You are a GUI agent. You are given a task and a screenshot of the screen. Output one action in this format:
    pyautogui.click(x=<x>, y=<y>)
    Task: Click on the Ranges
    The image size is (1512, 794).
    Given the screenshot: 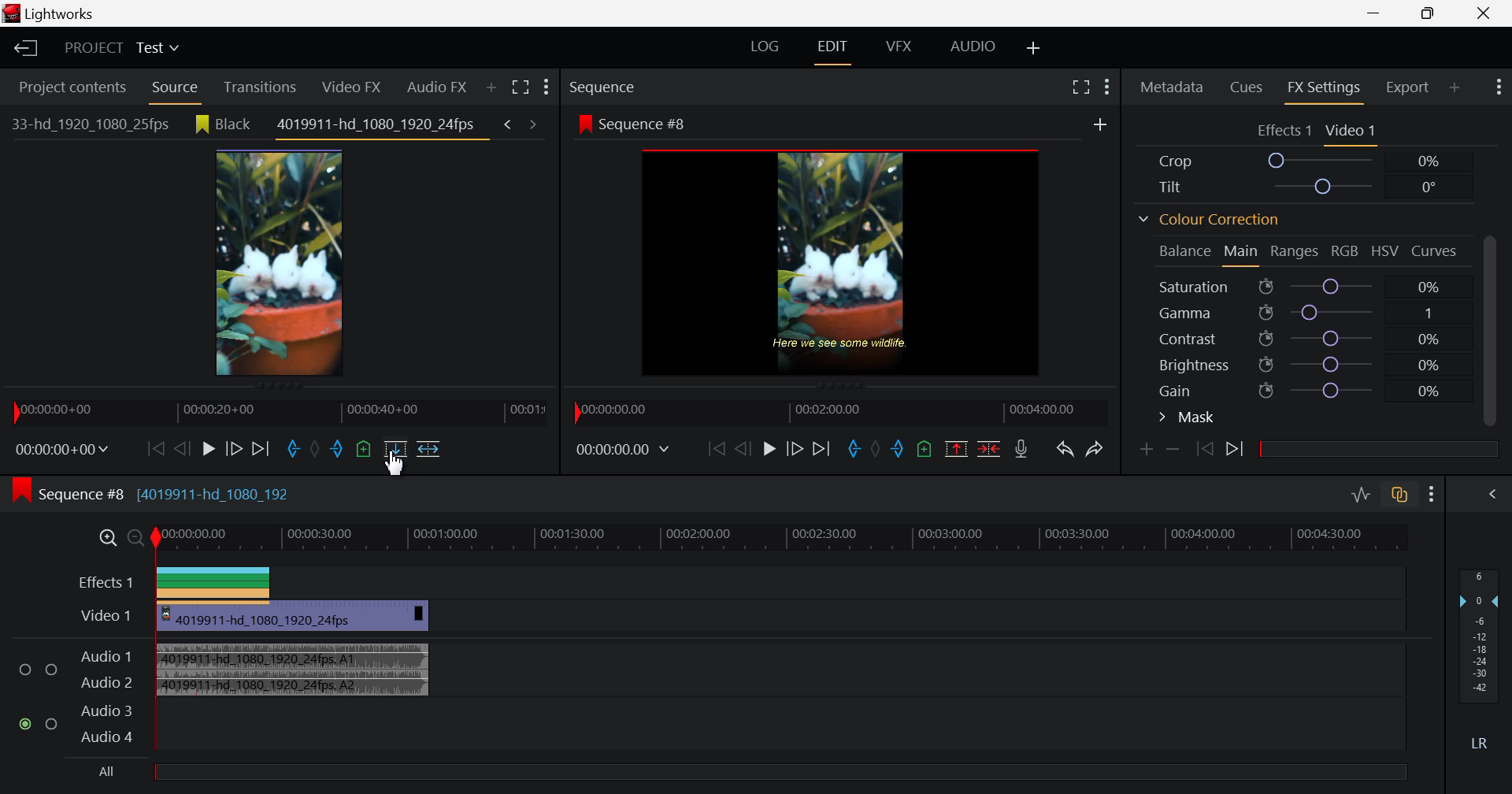 What is the action you would take?
    pyautogui.click(x=1296, y=252)
    